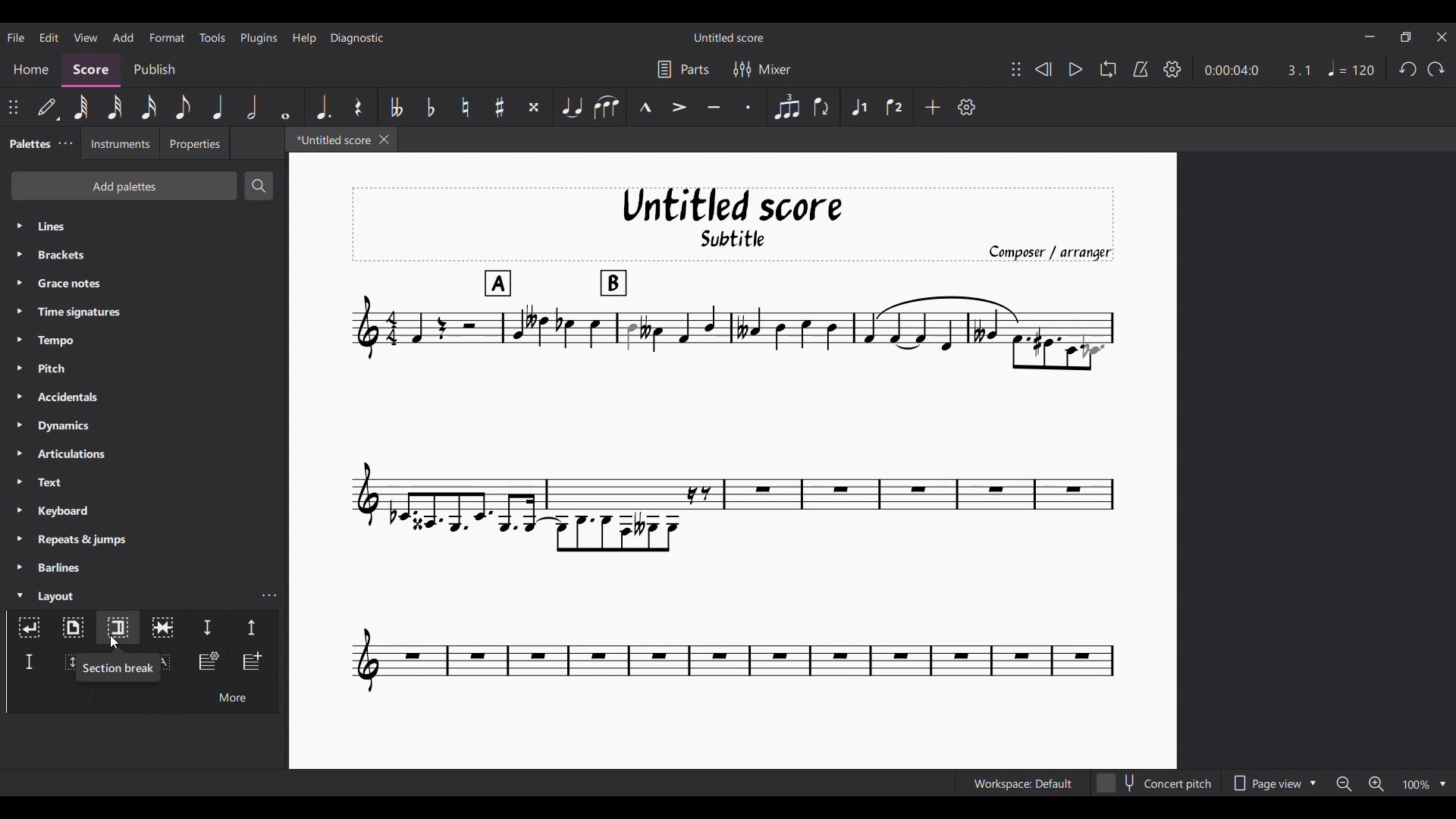 The height and width of the screenshot is (819, 1456). Describe the element at coordinates (143, 540) in the screenshot. I see `Repeats and jumps` at that location.